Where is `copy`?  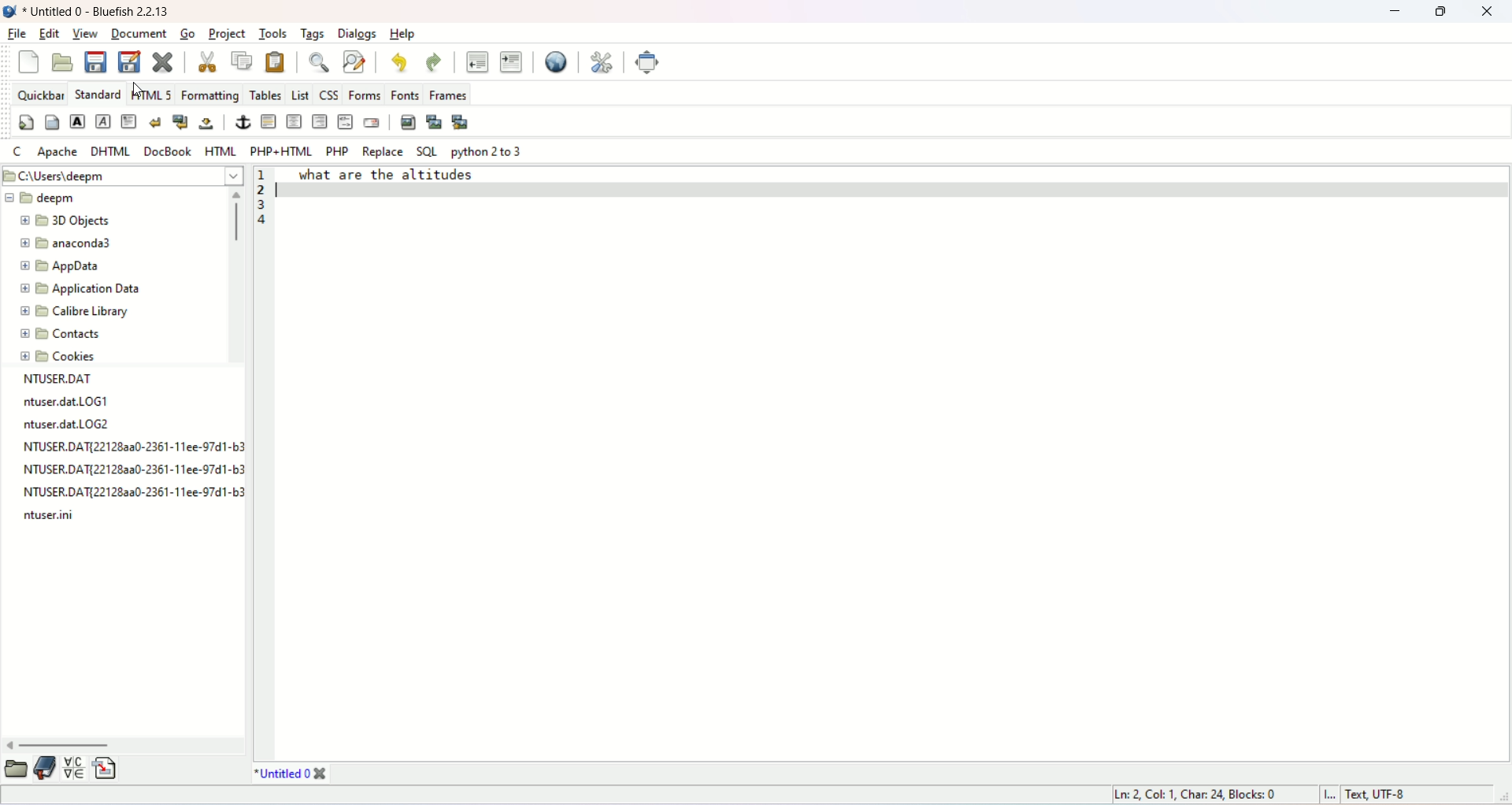 copy is located at coordinates (241, 61).